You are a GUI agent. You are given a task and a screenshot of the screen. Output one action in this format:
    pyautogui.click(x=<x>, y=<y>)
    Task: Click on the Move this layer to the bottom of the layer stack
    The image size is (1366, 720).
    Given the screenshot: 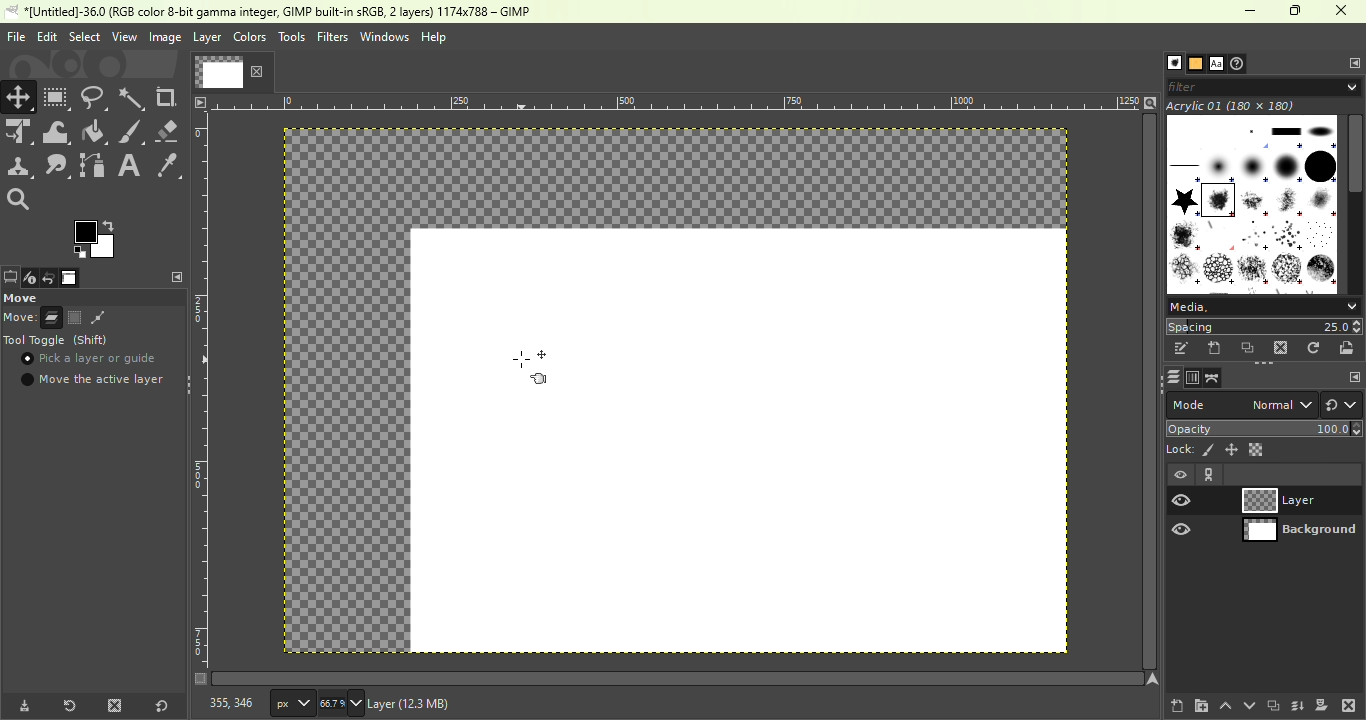 What is the action you would take?
    pyautogui.click(x=1247, y=705)
    